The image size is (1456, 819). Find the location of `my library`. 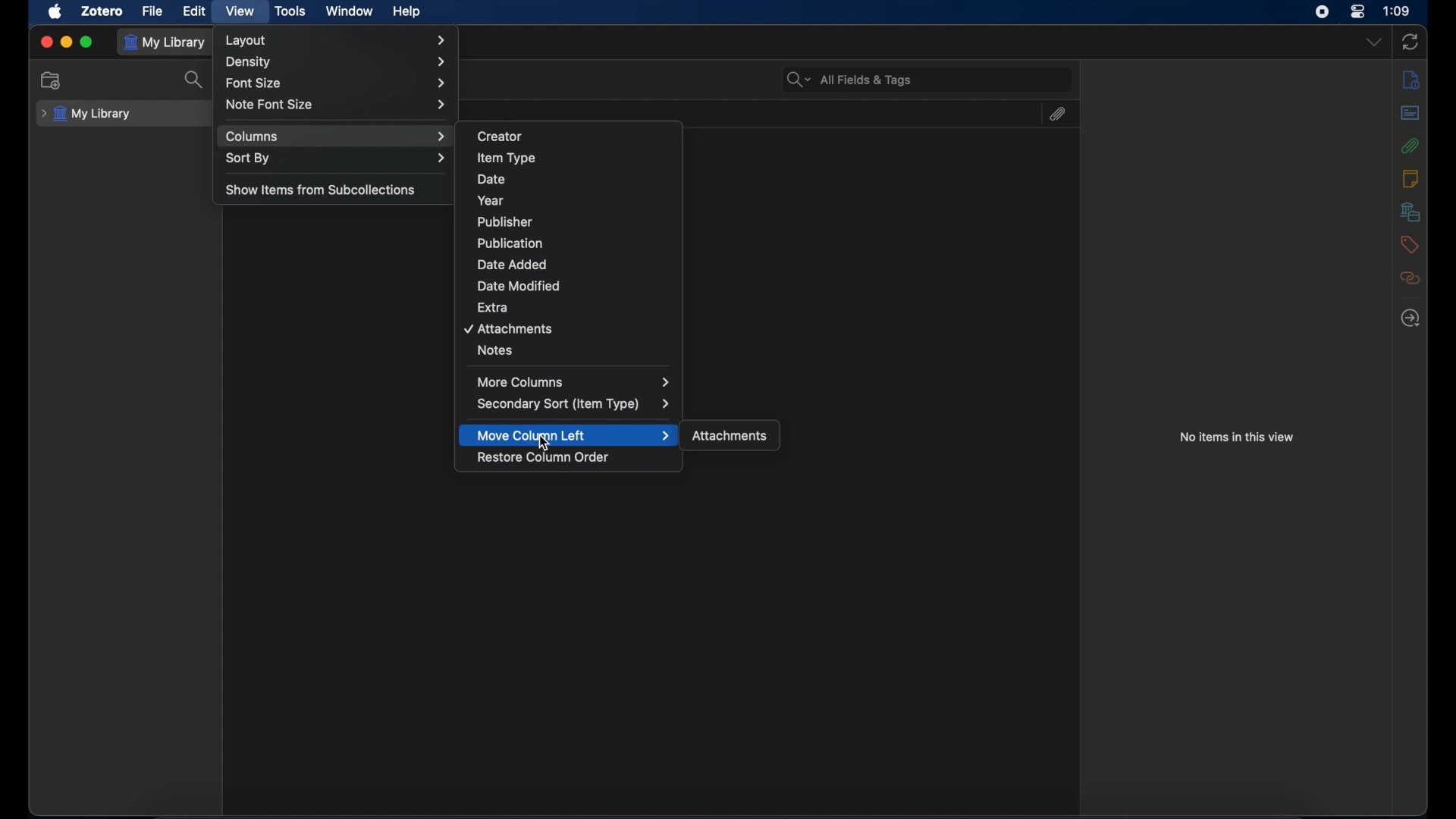

my library is located at coordinates (86, 113).